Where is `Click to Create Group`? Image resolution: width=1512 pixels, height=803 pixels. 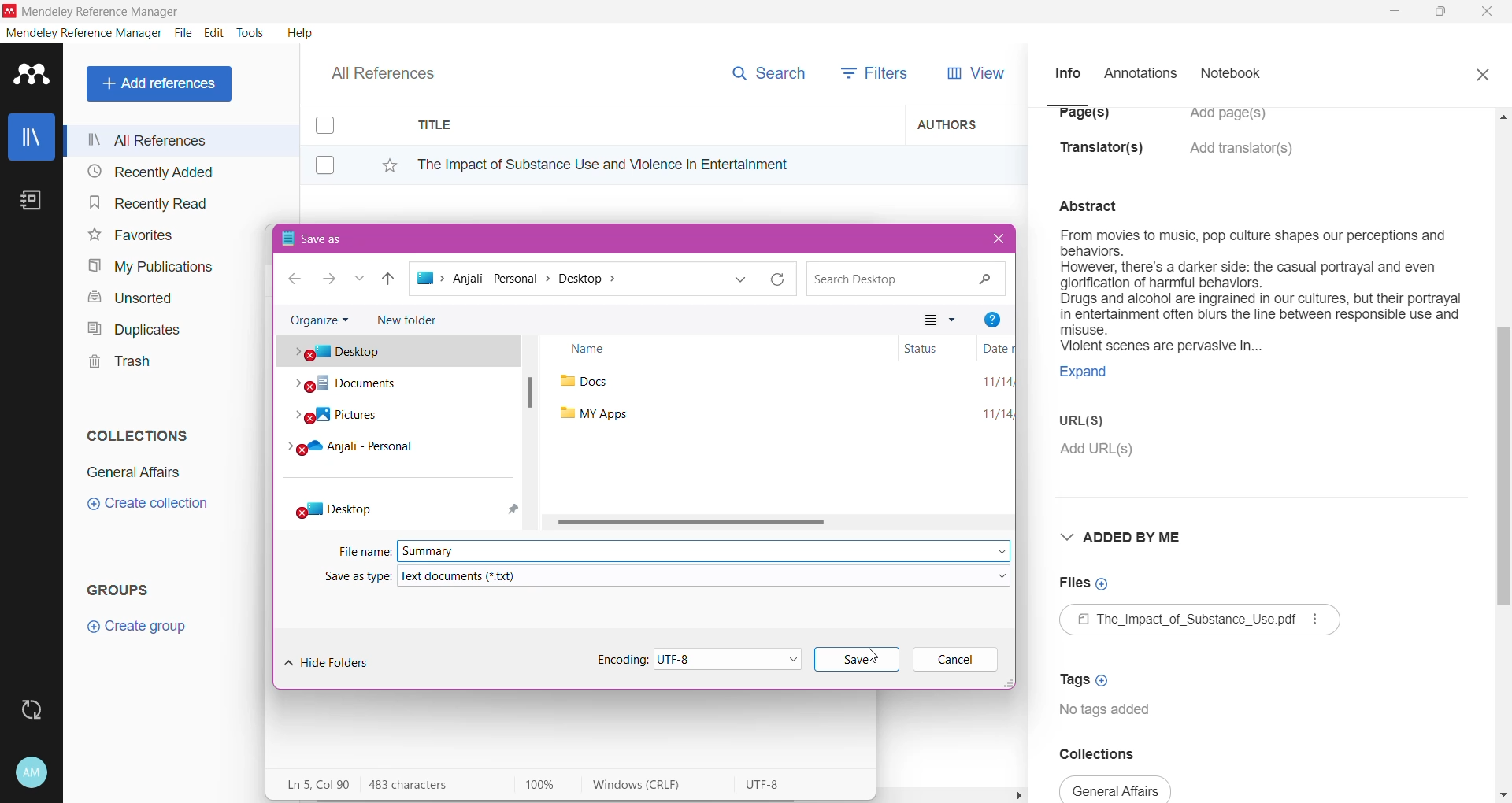
Click to Create Group is located at coordinates (140, 632).